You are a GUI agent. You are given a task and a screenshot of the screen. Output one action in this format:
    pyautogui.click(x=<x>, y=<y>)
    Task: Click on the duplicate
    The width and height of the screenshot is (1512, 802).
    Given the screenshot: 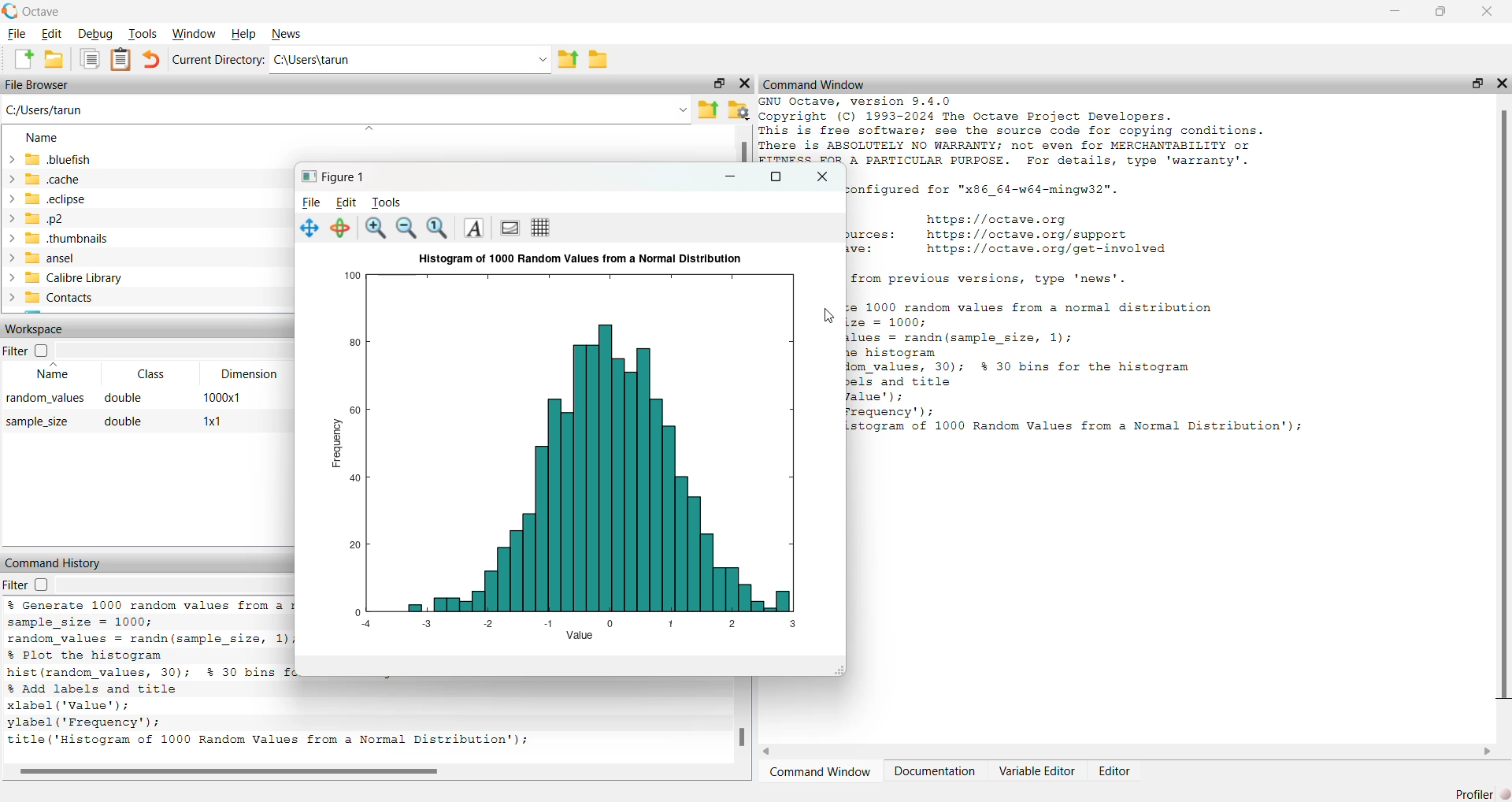 What is the action you would take?
    pyautogui.click(x=90, y=58)
    